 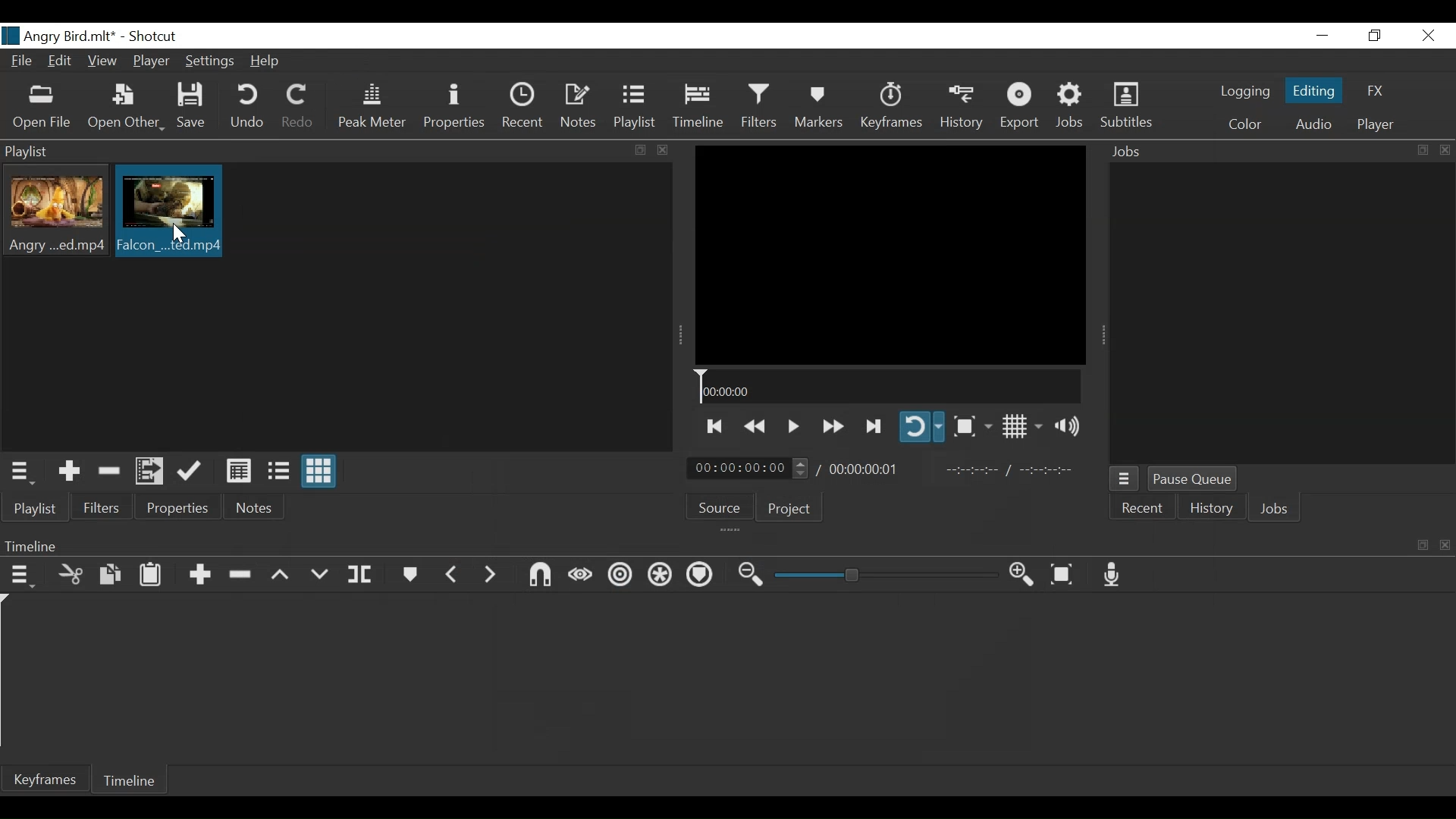 What do you see at coordinates (522, 105) in the screenshot?
I see `Recent` at bounding box center [522, 105].